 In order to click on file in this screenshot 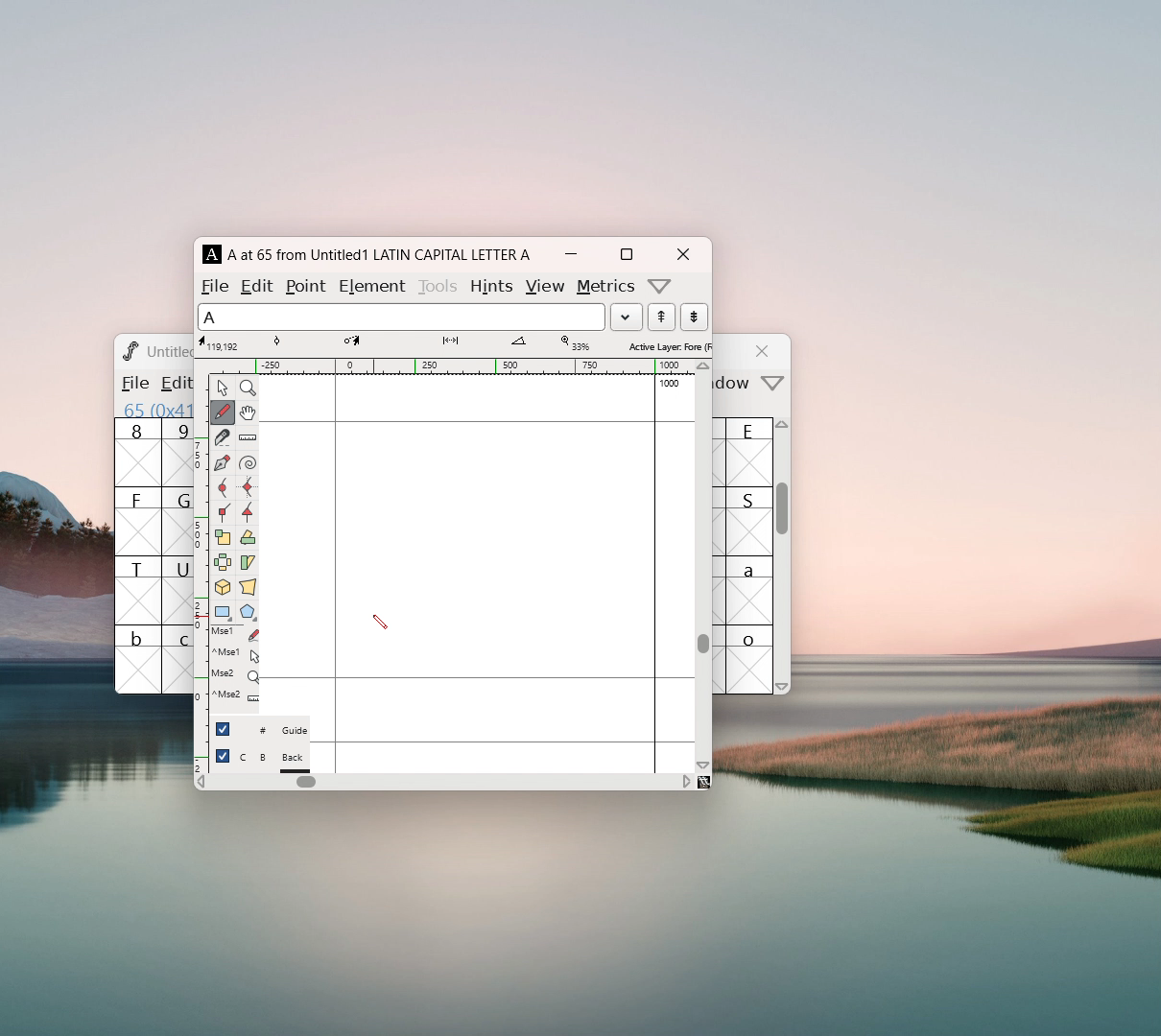, I will do `click(133, 383)`.